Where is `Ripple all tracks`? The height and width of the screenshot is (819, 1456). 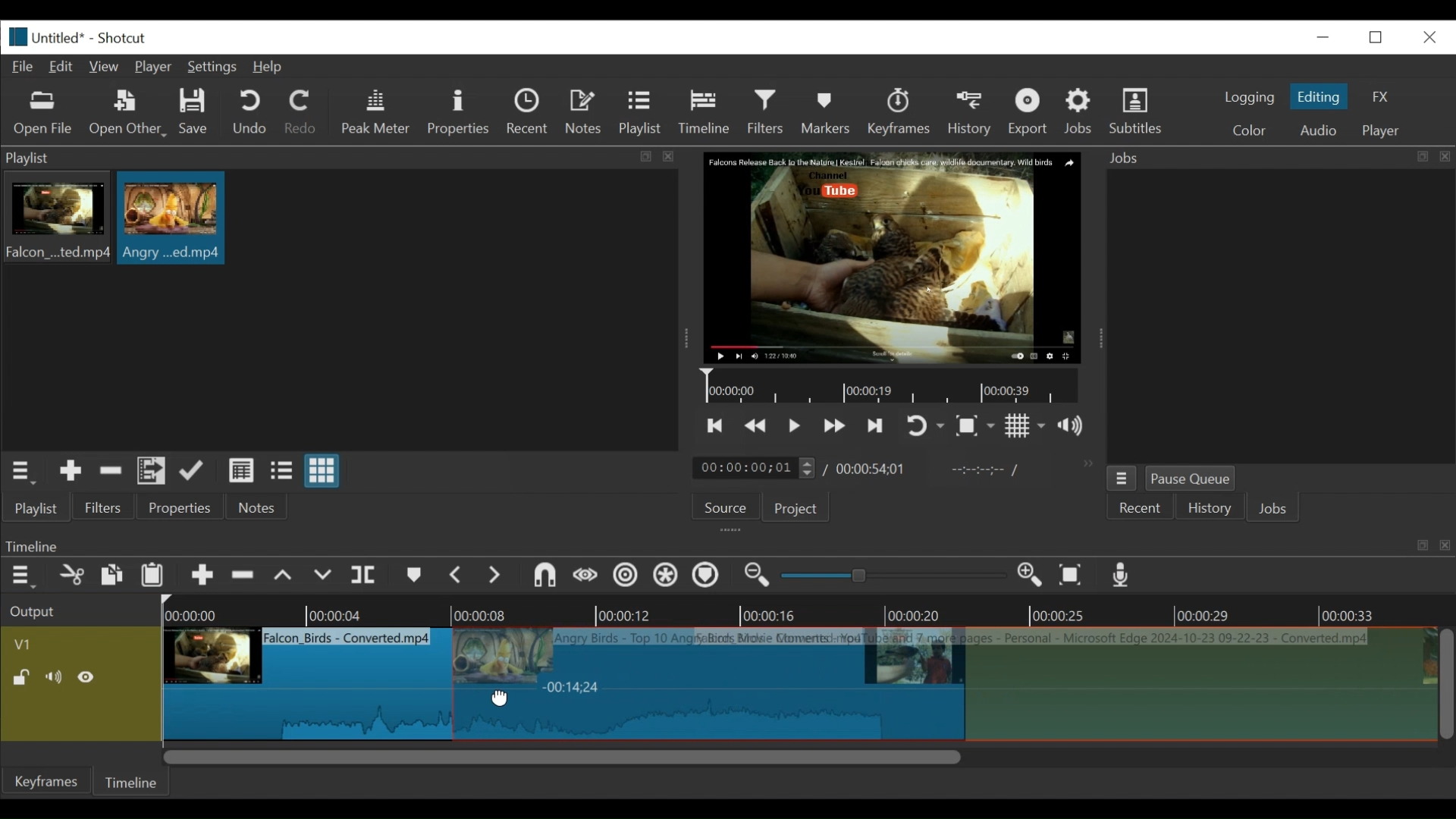 Ripple all tracks is located at coordinates (665, 577).